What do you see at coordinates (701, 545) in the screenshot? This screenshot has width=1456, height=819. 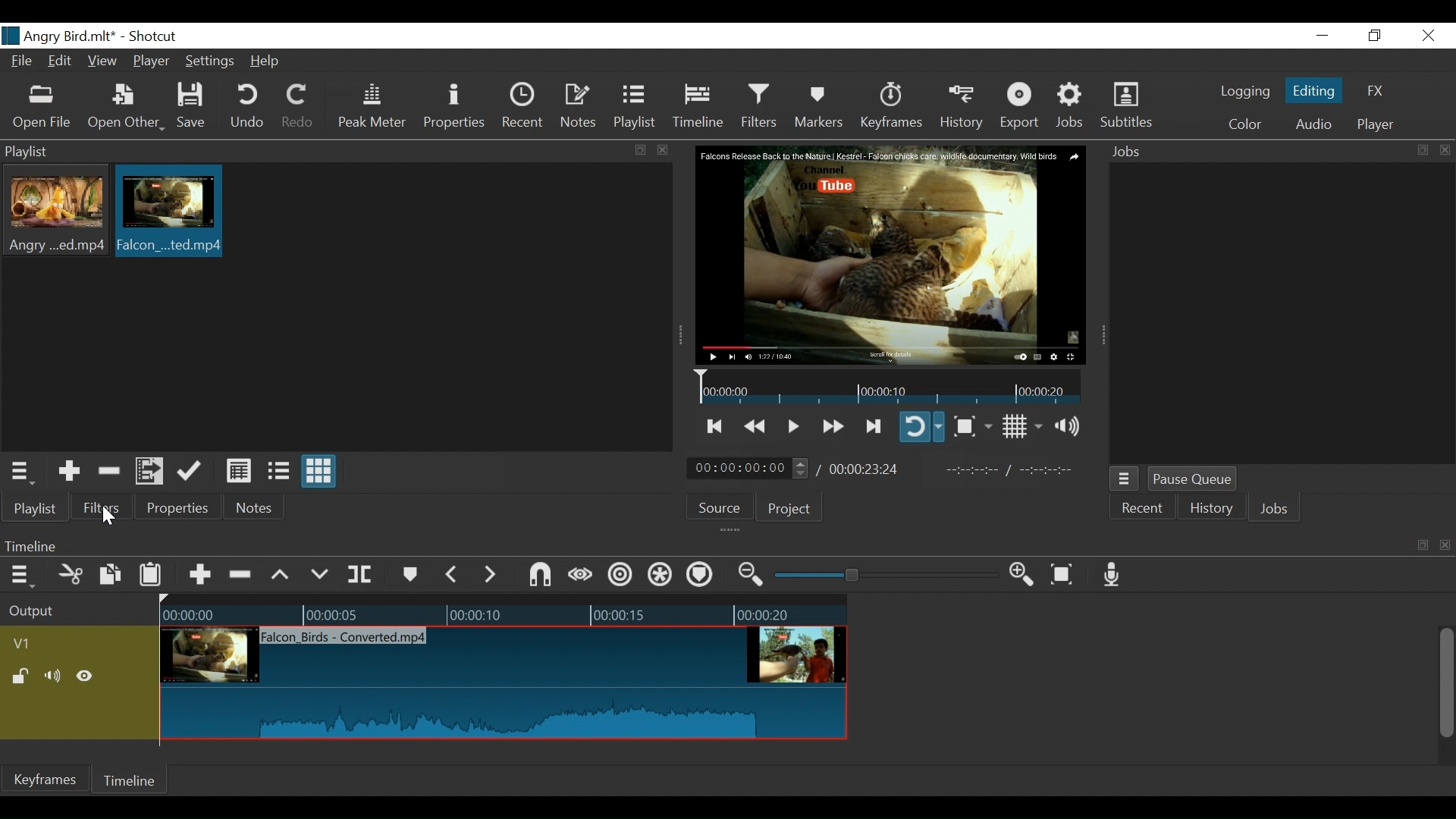 I see `Timeline` at bounding box center [701, 545].